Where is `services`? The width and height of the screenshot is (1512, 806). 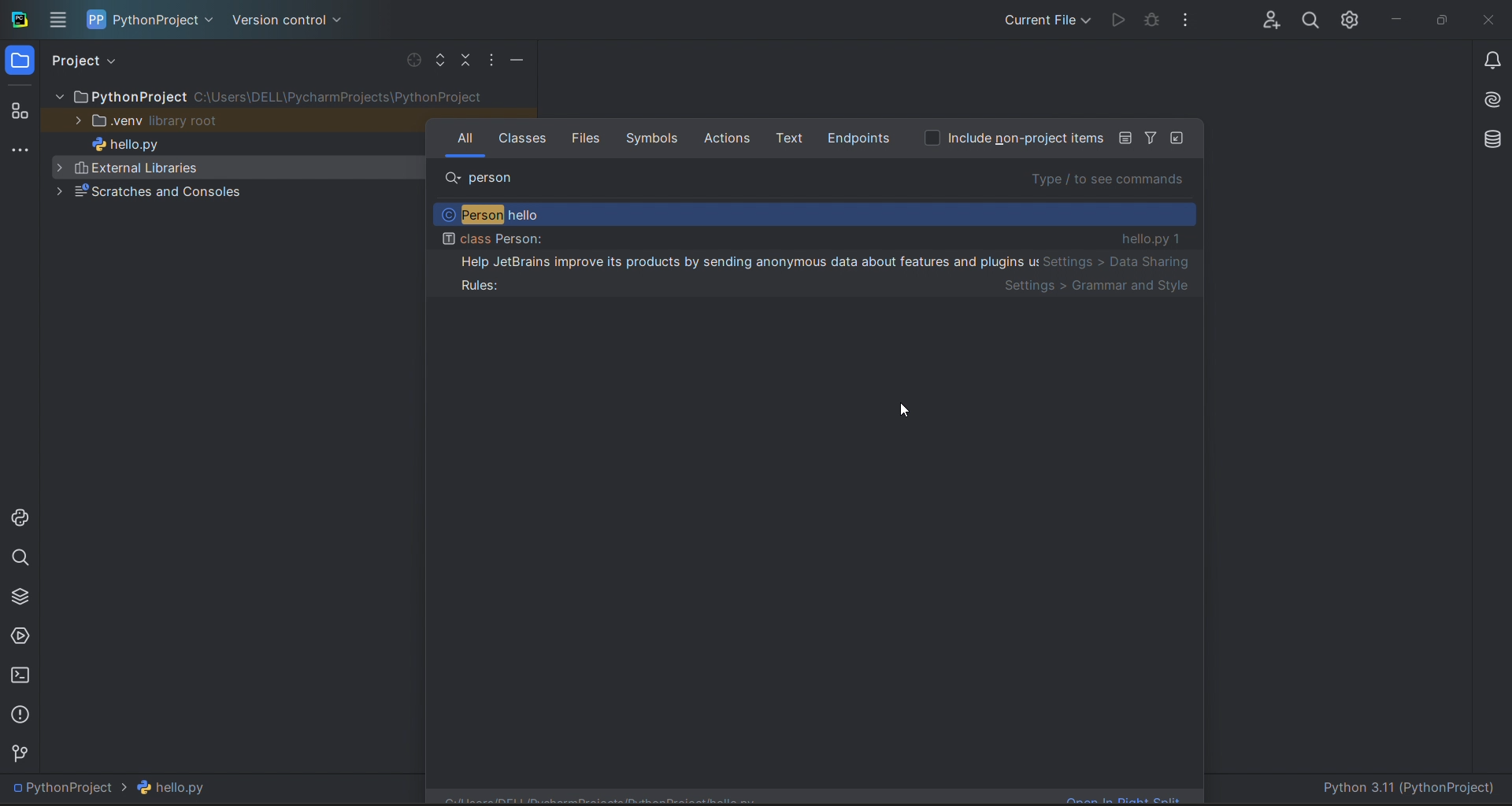
services is located at coordinates (20, 634).